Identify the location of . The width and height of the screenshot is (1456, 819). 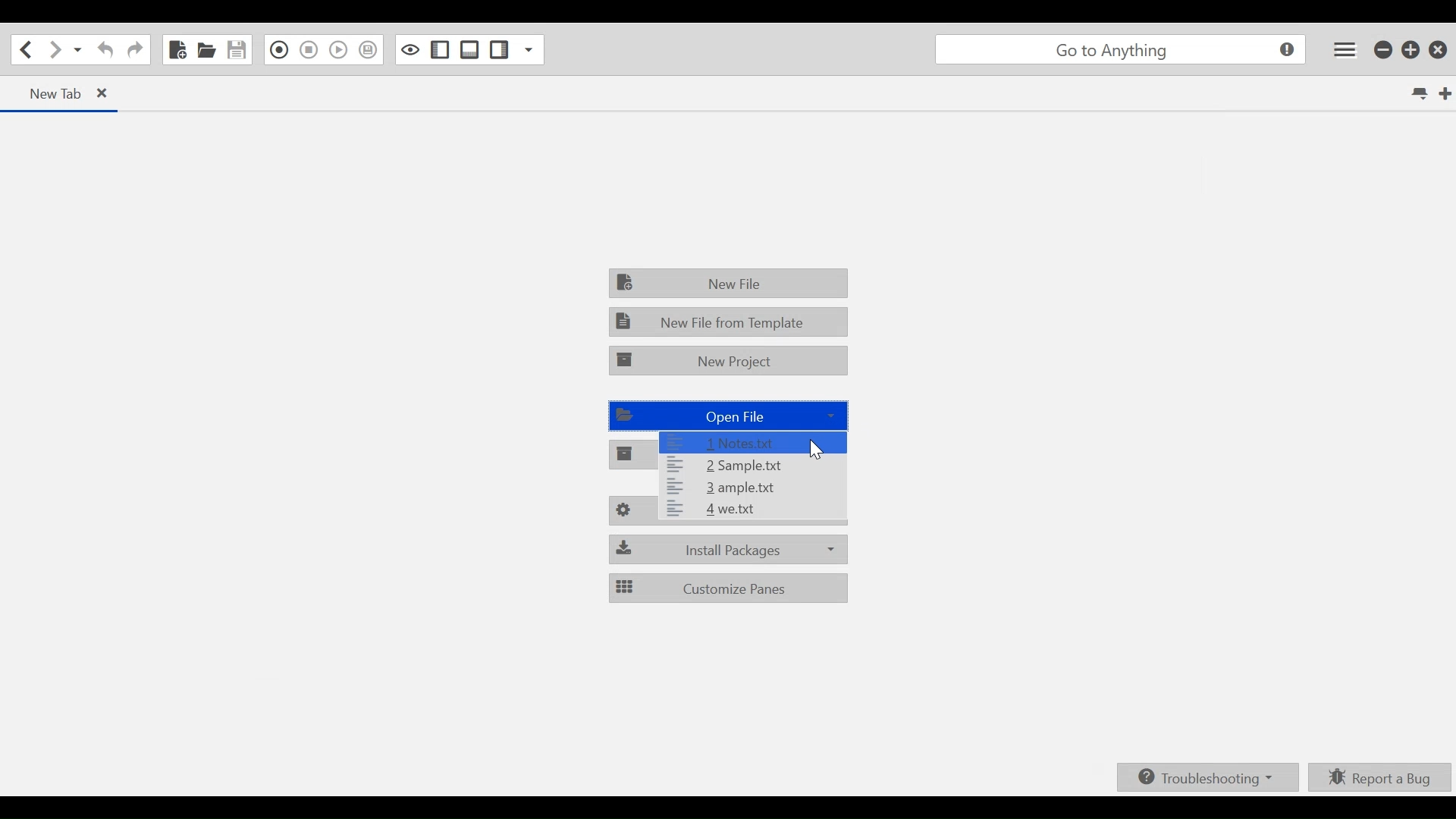
(135, 51).